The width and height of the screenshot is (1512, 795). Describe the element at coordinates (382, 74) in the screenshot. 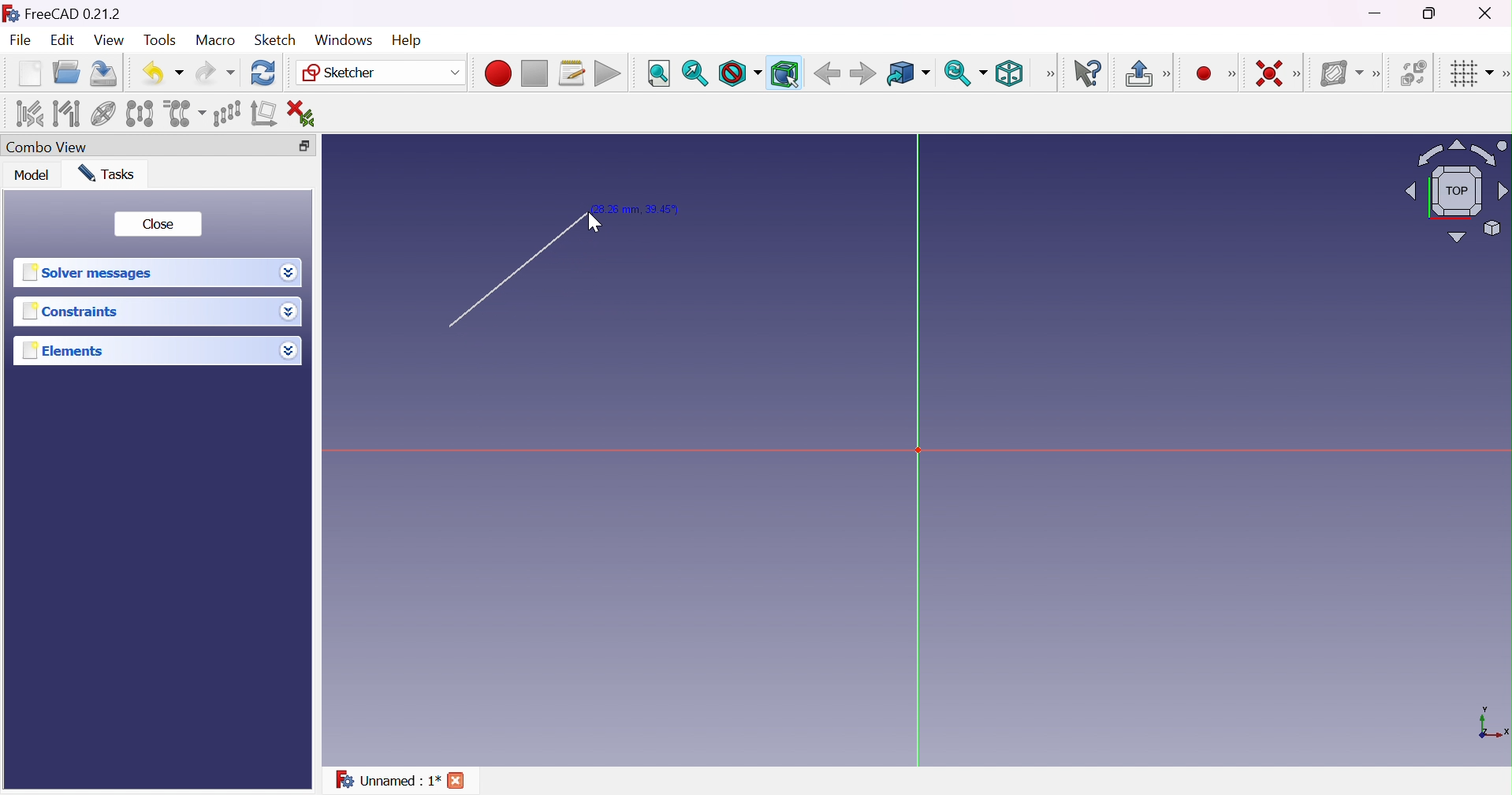

I see `Sketcher` at that location.